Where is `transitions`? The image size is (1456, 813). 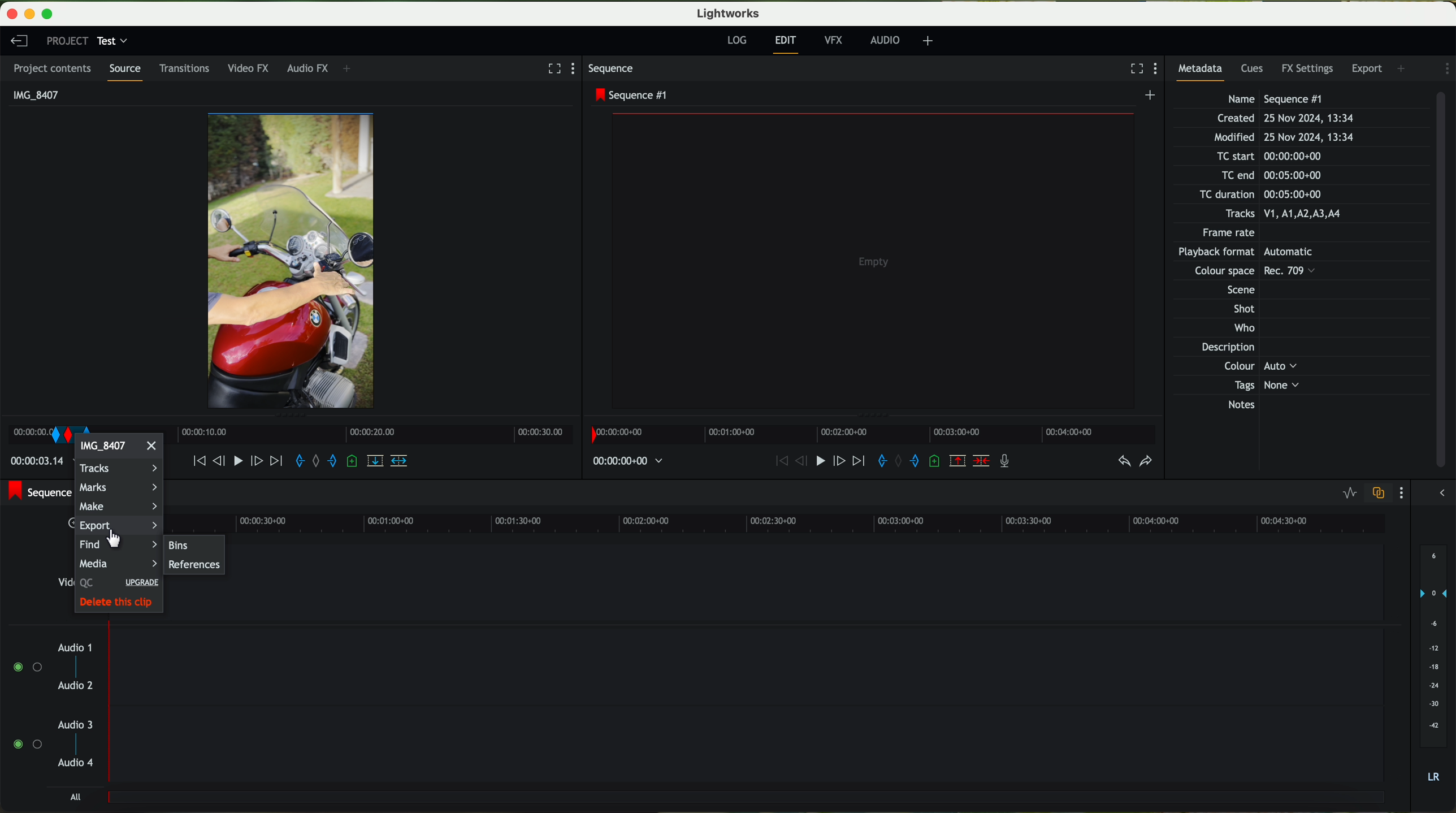 transitions is located at coordinates (187, 68).